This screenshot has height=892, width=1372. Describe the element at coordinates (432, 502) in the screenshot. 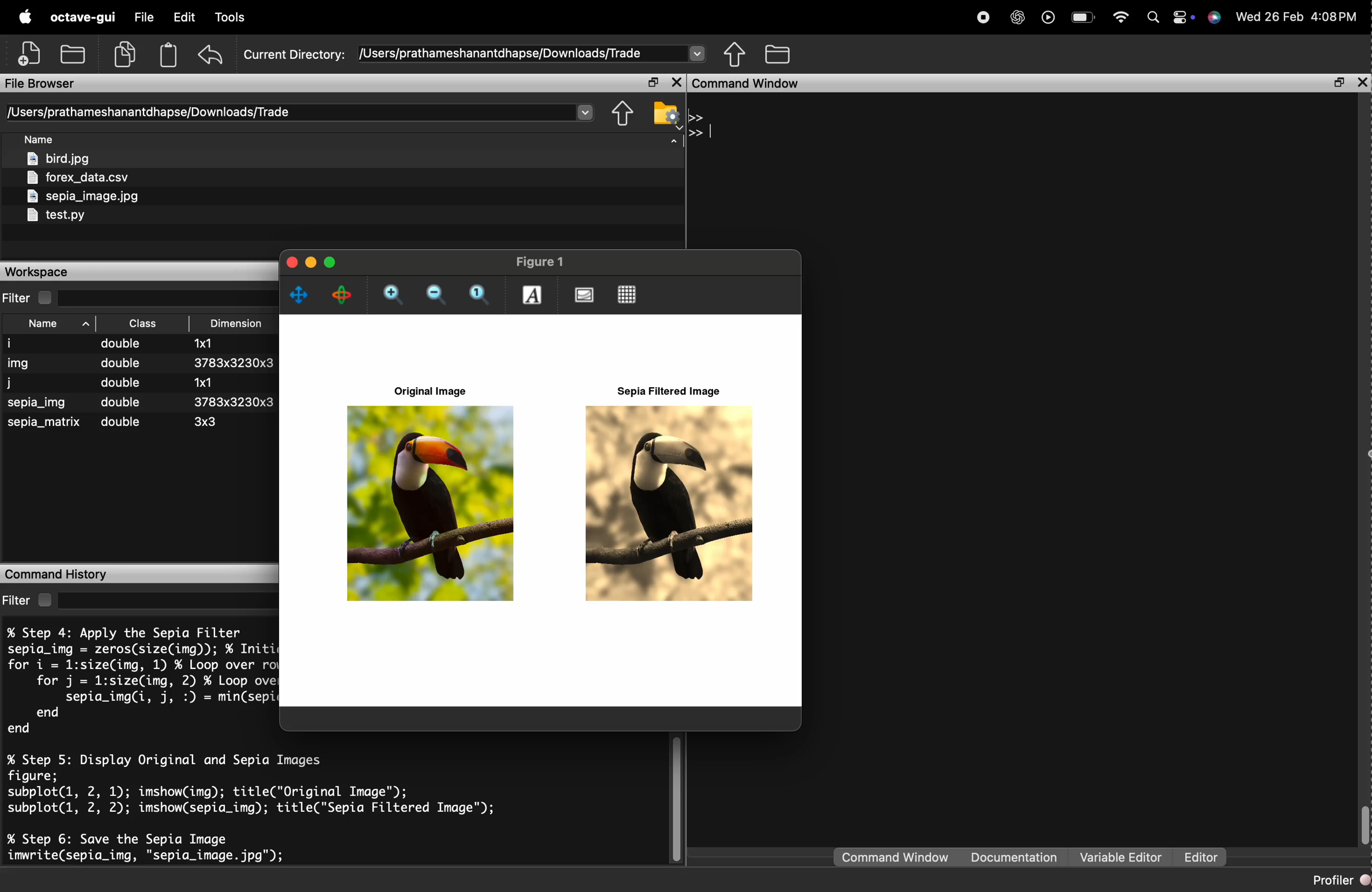

I see `Original Image` at that location.